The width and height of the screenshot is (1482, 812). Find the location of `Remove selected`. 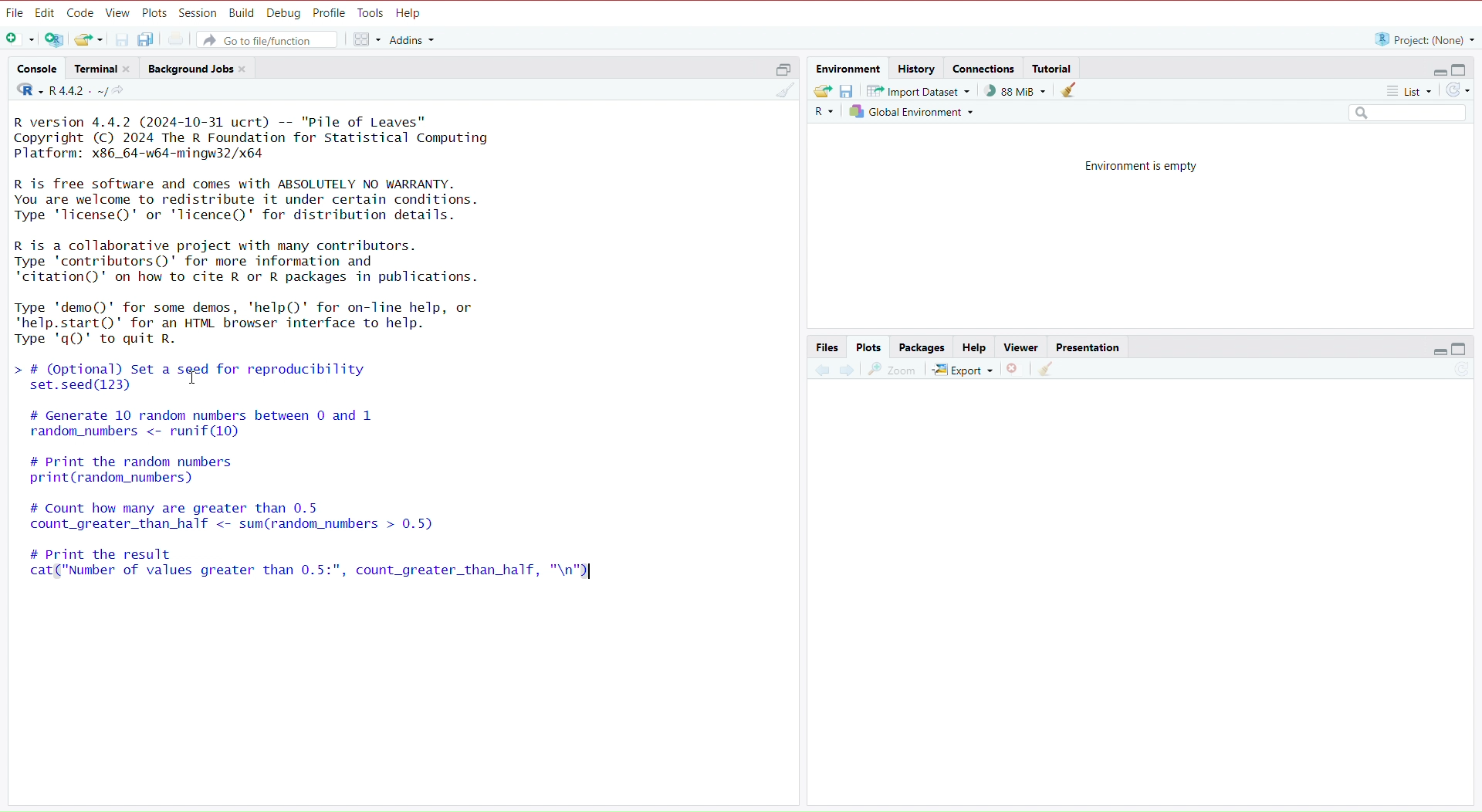

Remove selected is located at coordinates (1015, 370).